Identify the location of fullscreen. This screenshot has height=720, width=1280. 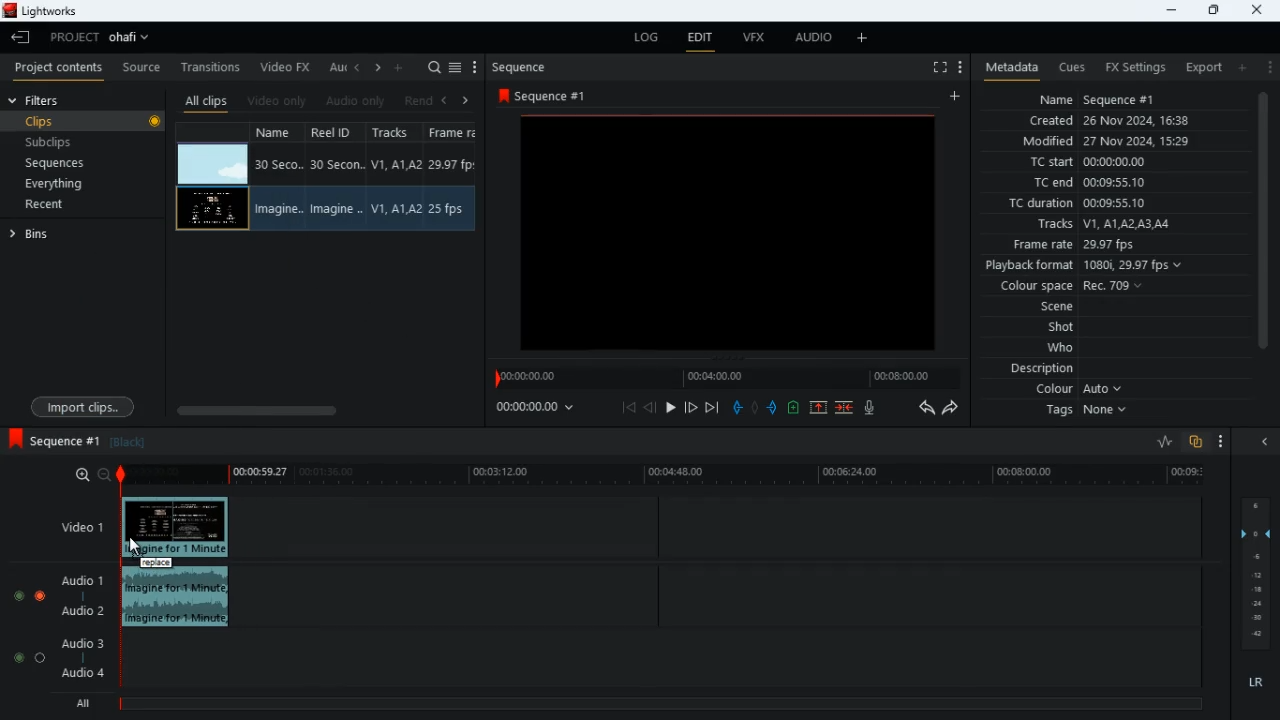
(938, 68).